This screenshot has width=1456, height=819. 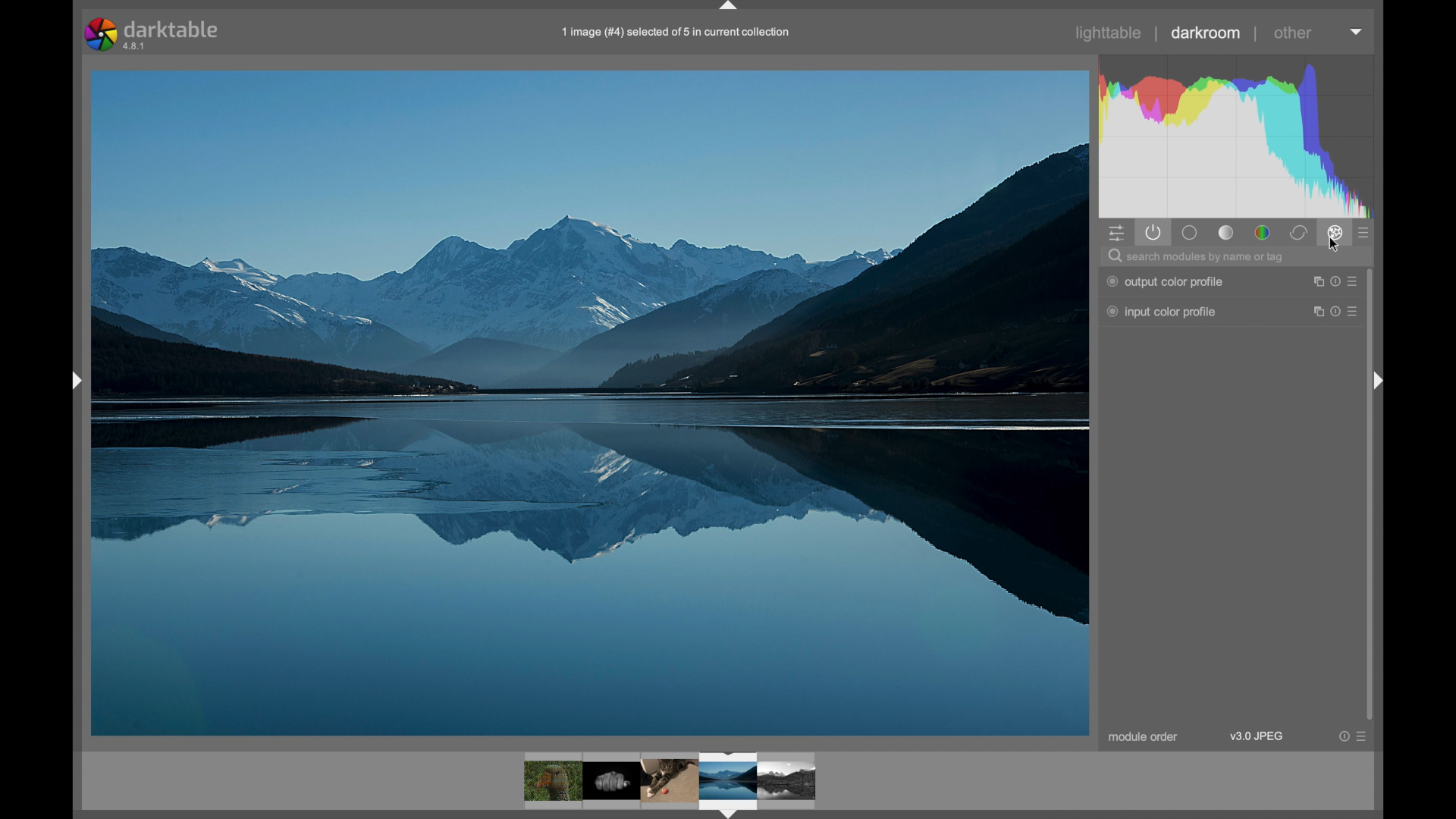 I want to click on more options, so click(x=1353, y=736).